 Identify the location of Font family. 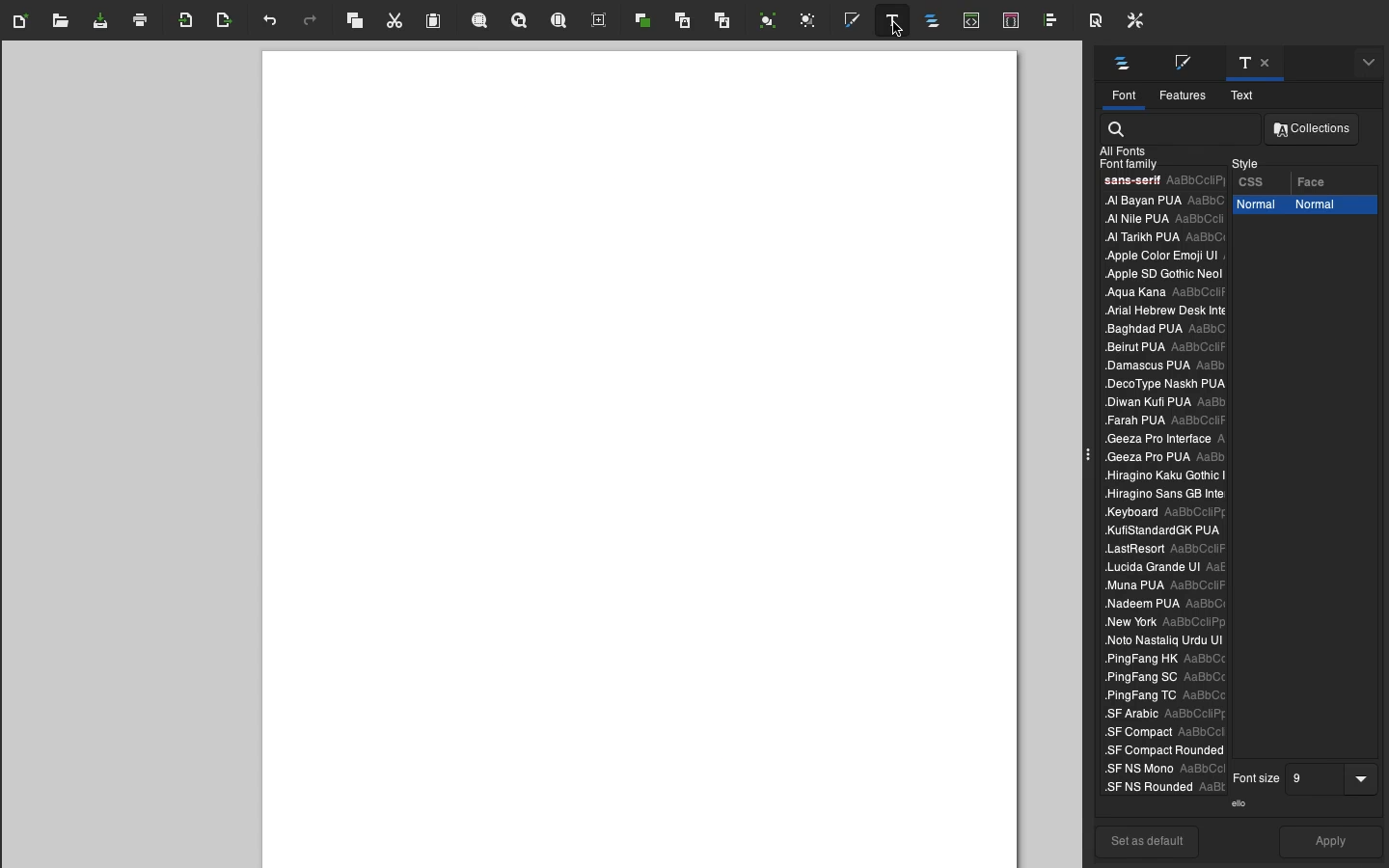
(1126, 164).